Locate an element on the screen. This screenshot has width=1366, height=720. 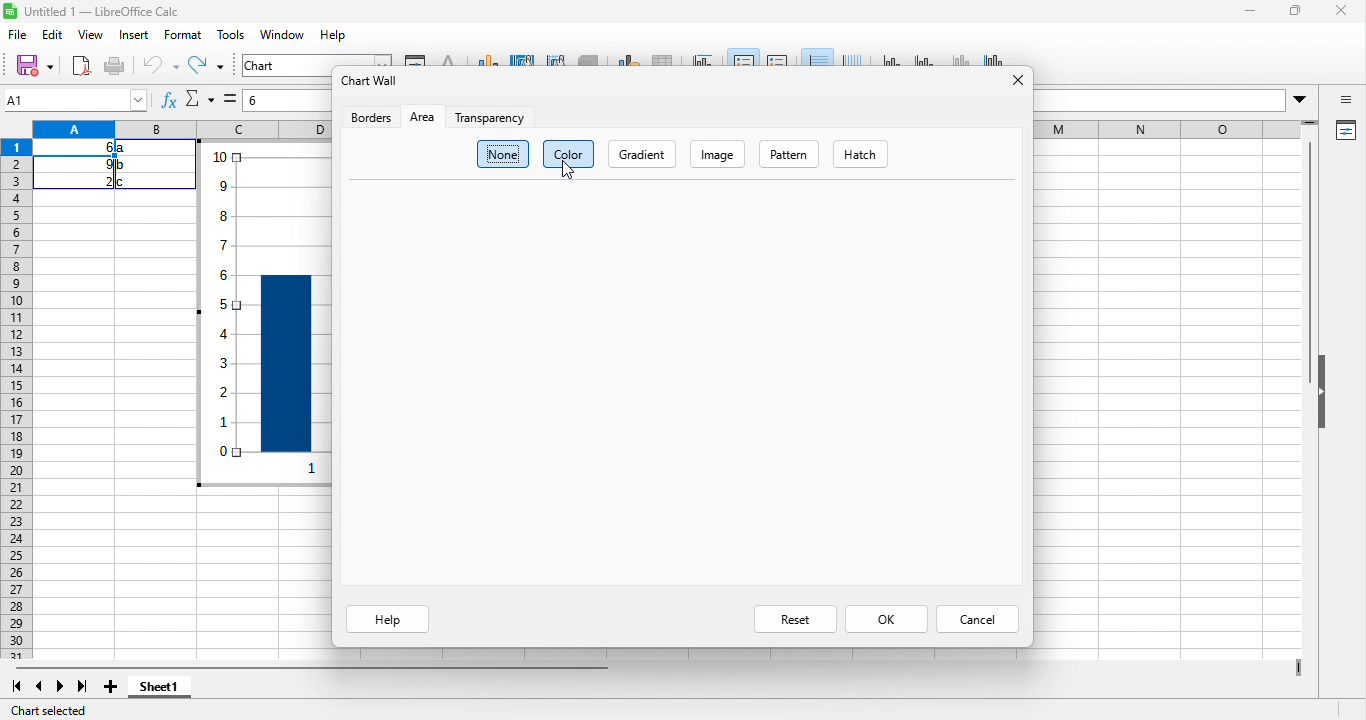
undo is located at coordinates (155, 65).